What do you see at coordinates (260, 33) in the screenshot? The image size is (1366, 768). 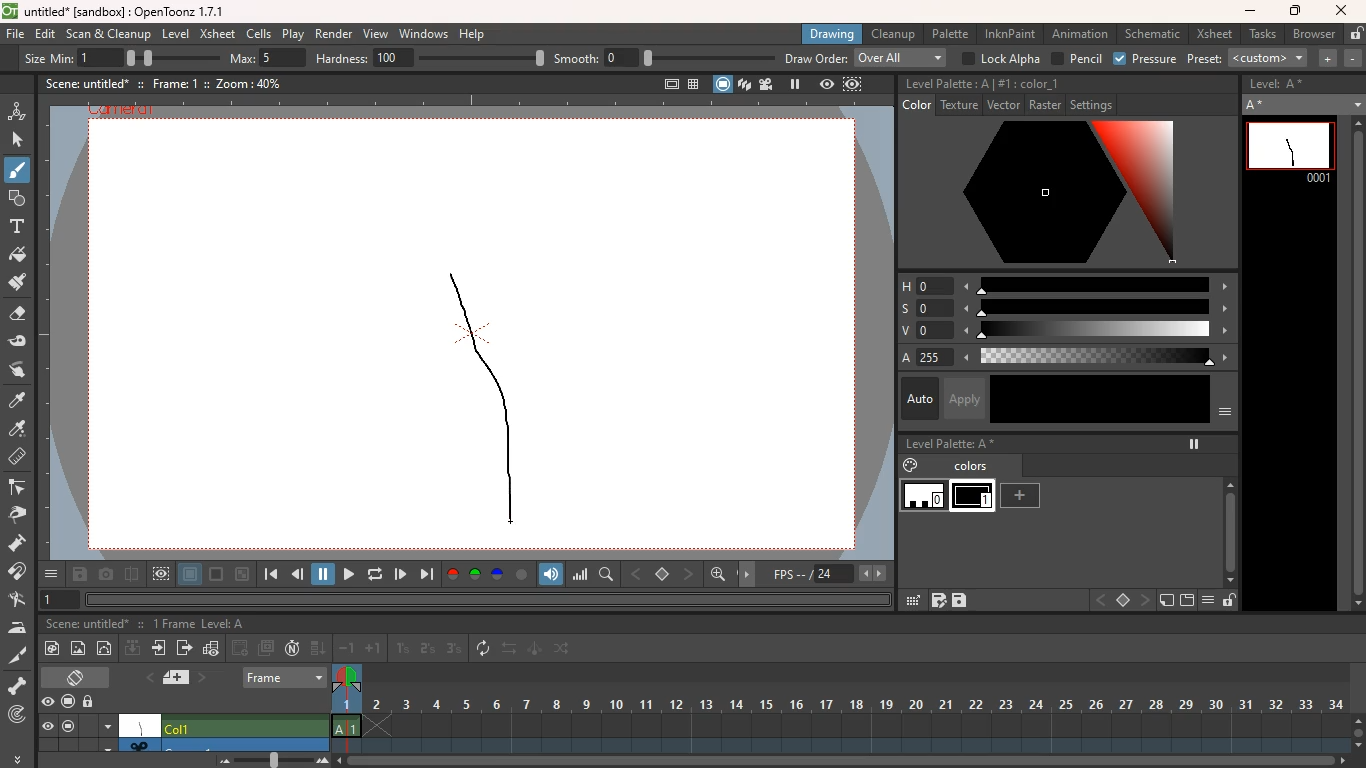 I see `cells` at bounding box center [260, 33].